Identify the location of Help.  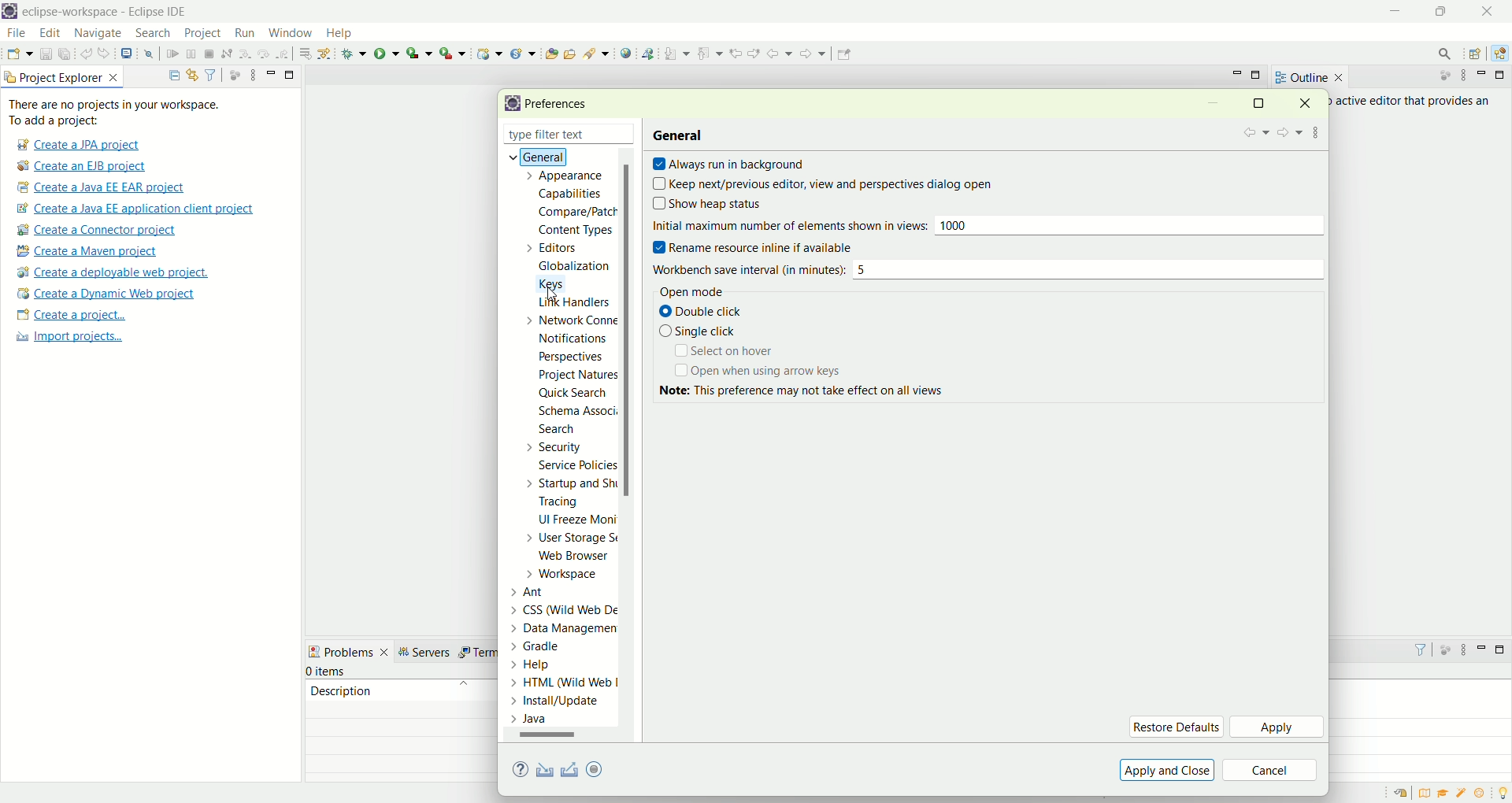
(547, 666).